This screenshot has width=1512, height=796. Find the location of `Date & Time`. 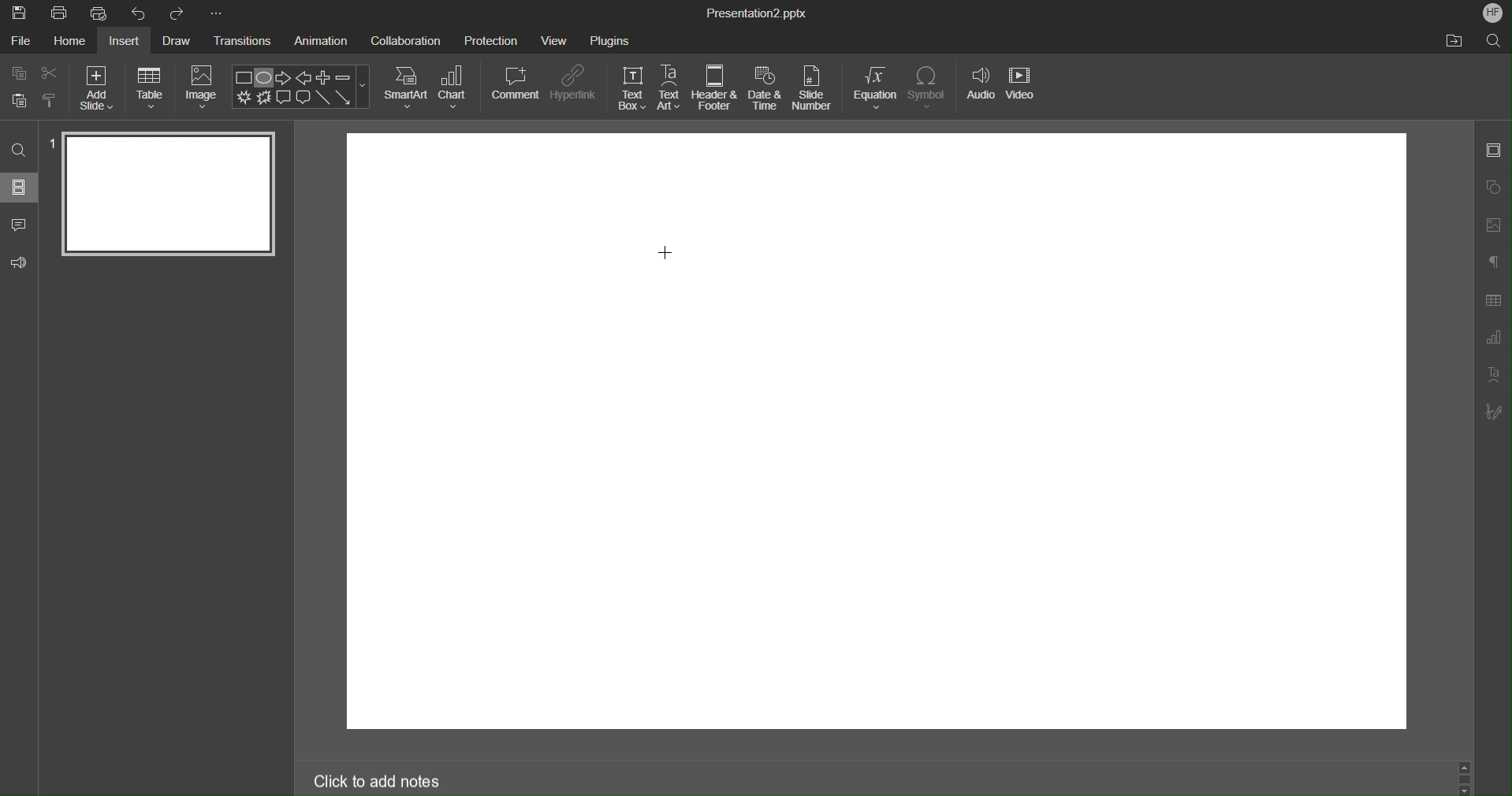

Date & Time is located at coordinates (765, 88).